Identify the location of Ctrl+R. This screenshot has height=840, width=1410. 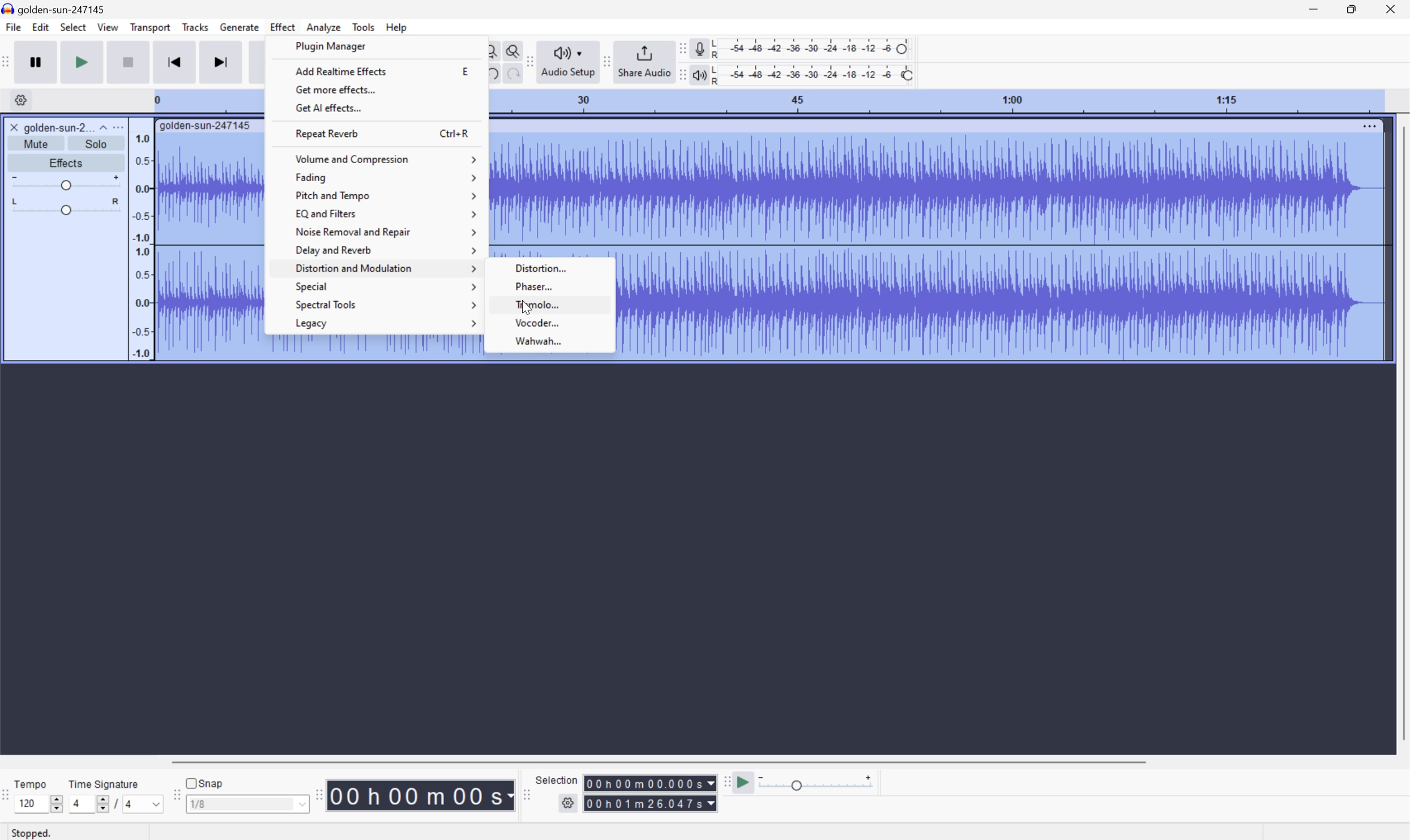
(456, 132).